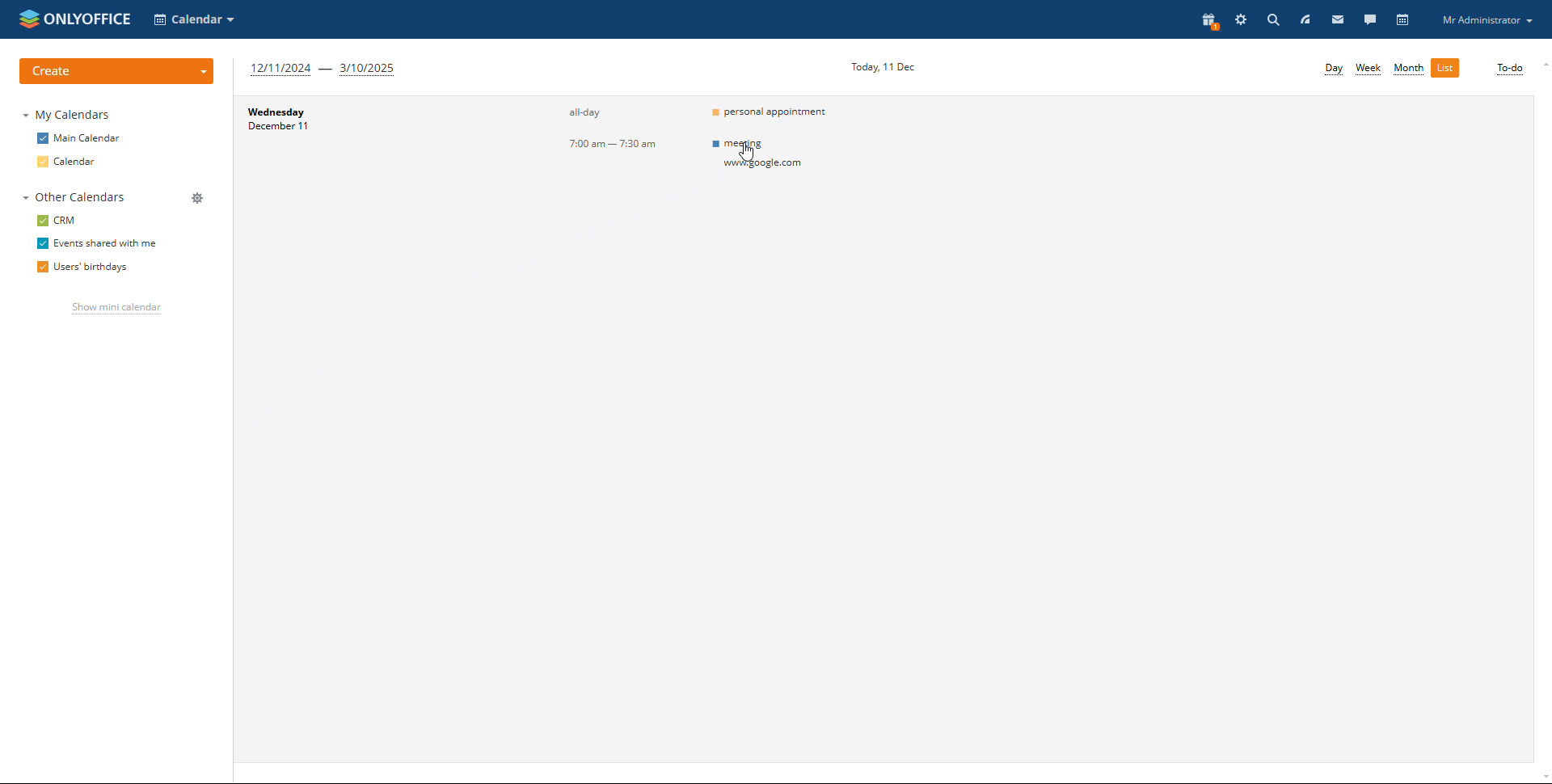 This screenshot has height=784, width=1552. I want to click on day and date, so click(288, 120).